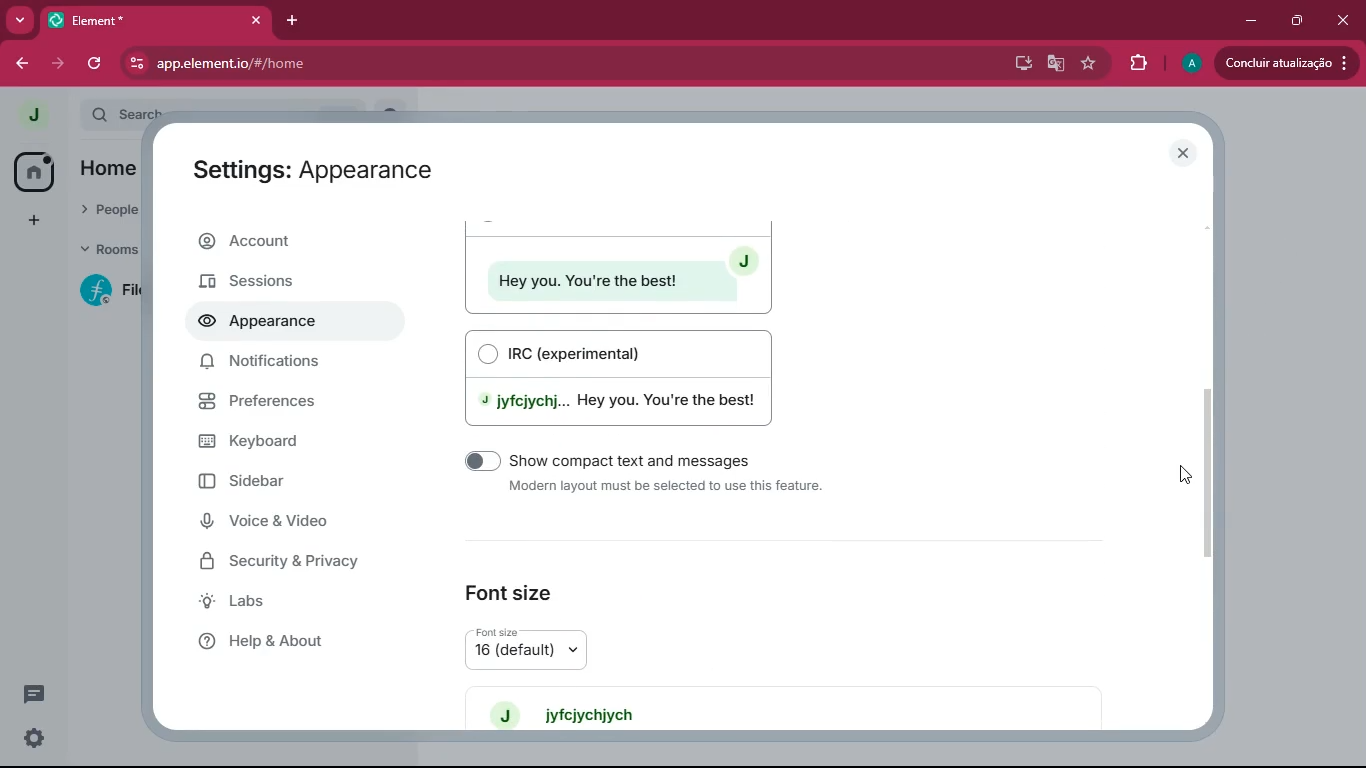  What do you see at coordinates (1186, 475) in the screenshot?
I see `Cursor` at bounding box center [1186, 475].